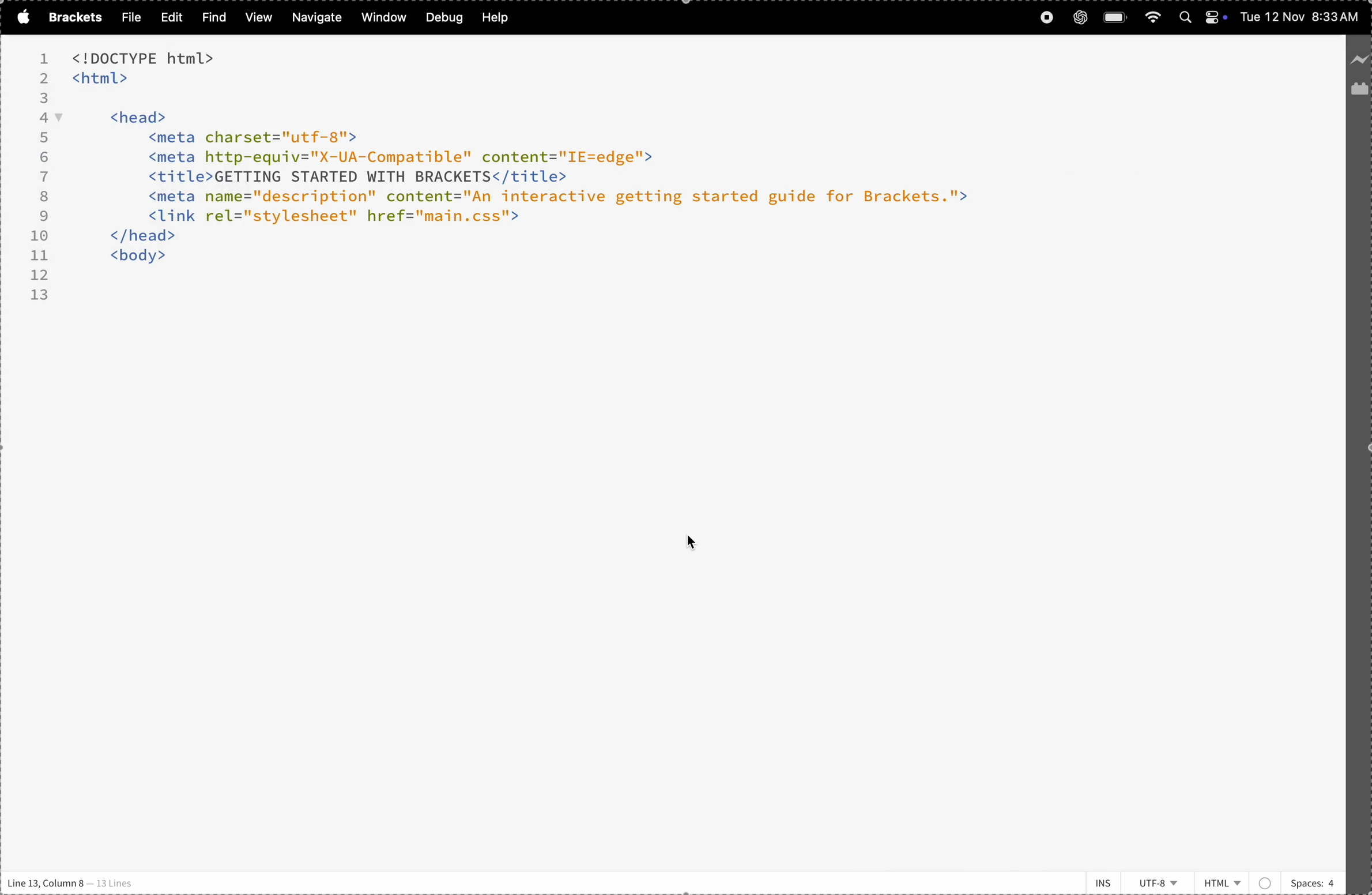  What do you see at coordinates (211, 17) in the screenshot?
I see `find` at bounding box center [211, 17].